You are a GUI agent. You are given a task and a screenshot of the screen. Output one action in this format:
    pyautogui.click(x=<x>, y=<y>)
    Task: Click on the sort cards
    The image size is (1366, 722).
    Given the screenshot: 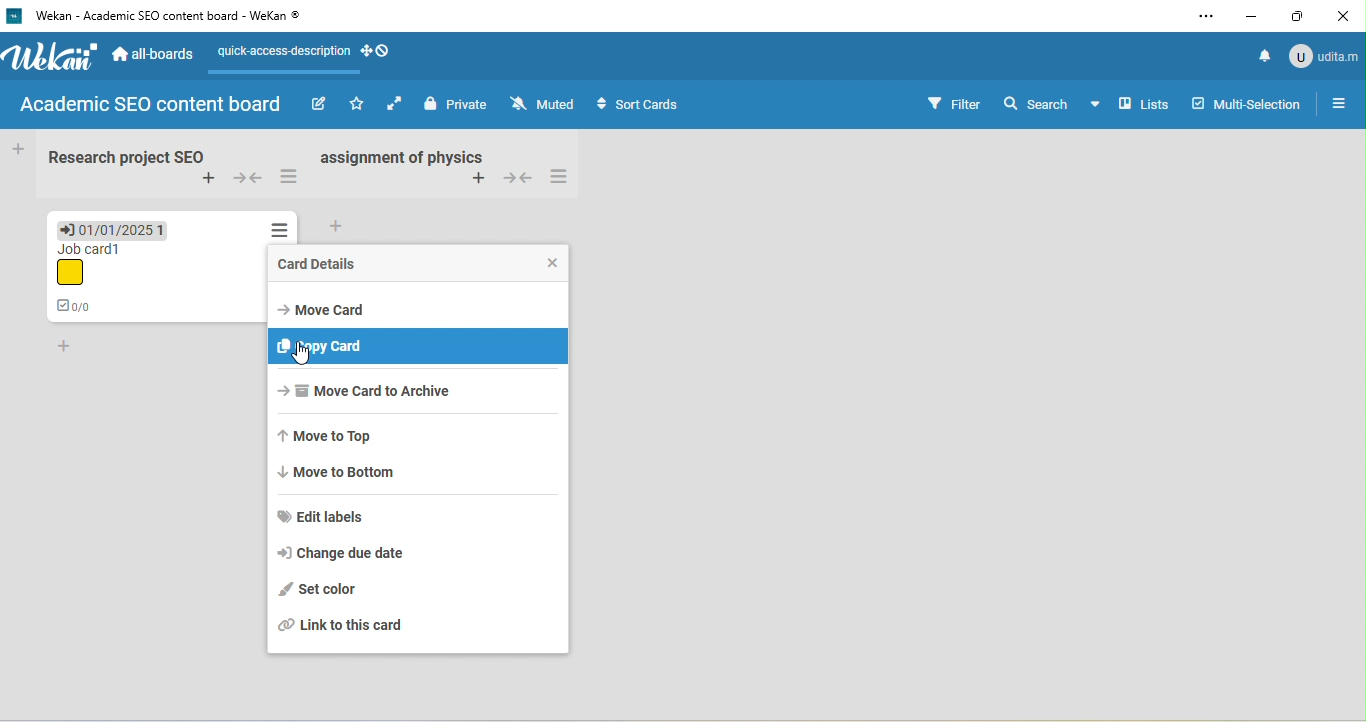 What is the action you would take?
    pyautogui.click(x=644, y=107)
    